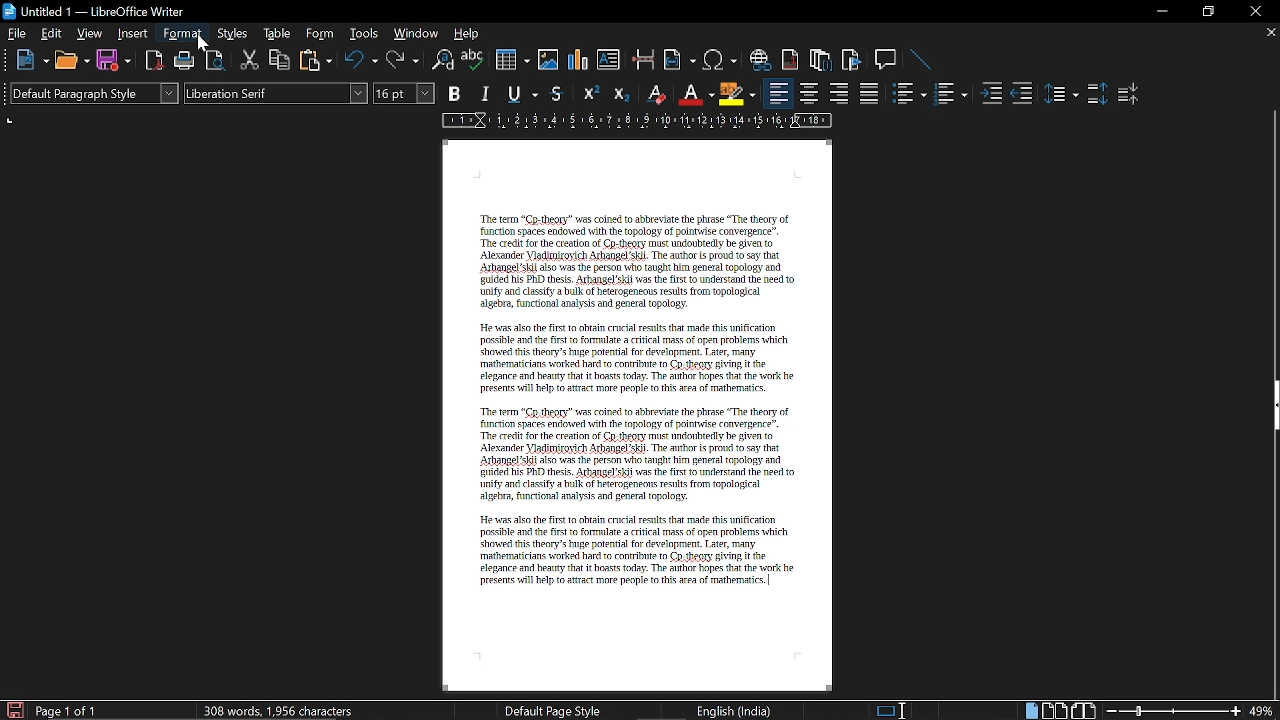 The width and height of the screenshot is (1280, 720). What do you see at coordinates (415, 33) in the screenshot?
I see `Window` at bounding box center [415, 33].